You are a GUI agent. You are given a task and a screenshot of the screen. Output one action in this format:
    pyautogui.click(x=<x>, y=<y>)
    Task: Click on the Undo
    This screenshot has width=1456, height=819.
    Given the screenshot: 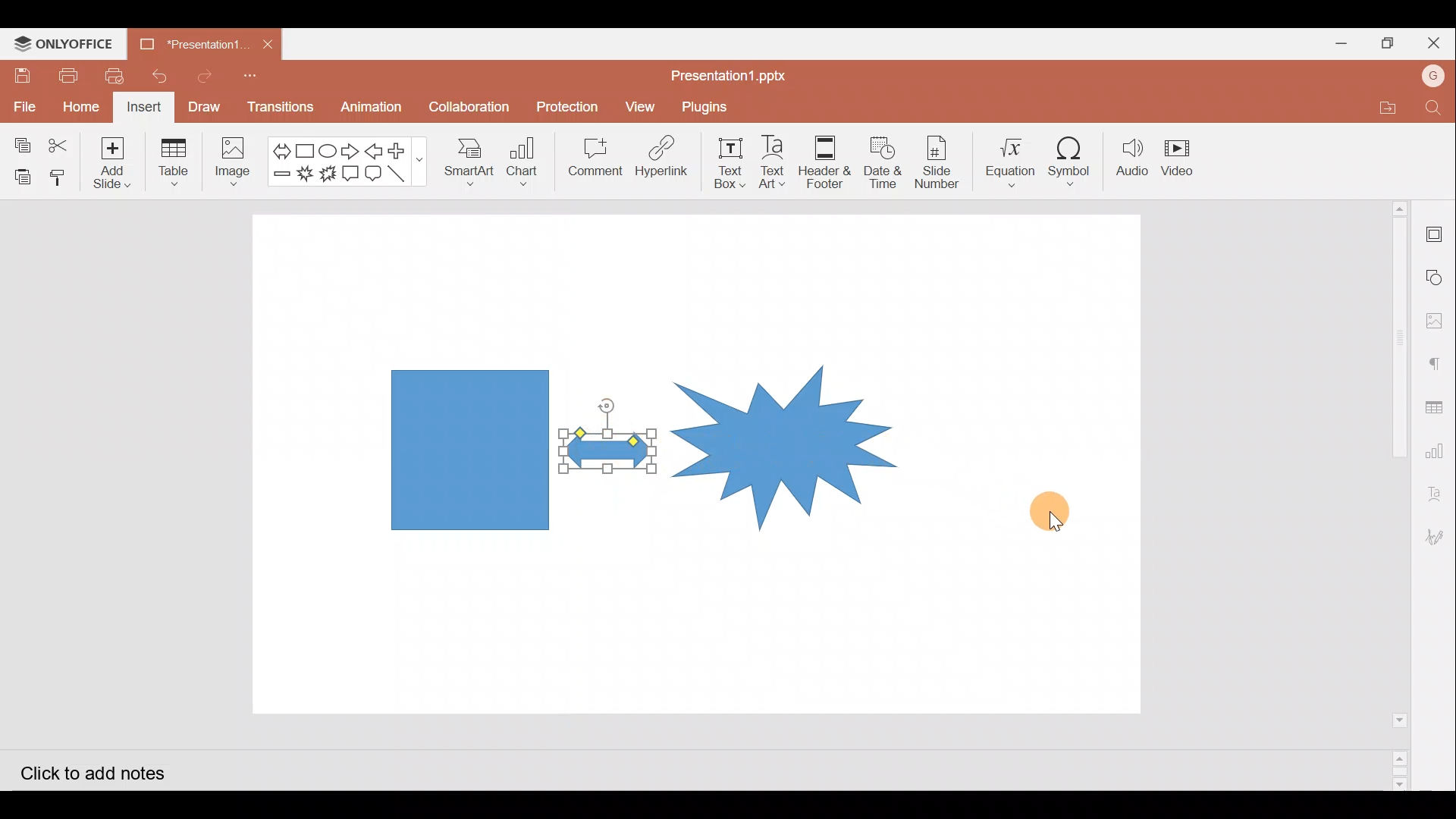 What is the action you would take?
    pyautogui.click(x=164, y=77)
    